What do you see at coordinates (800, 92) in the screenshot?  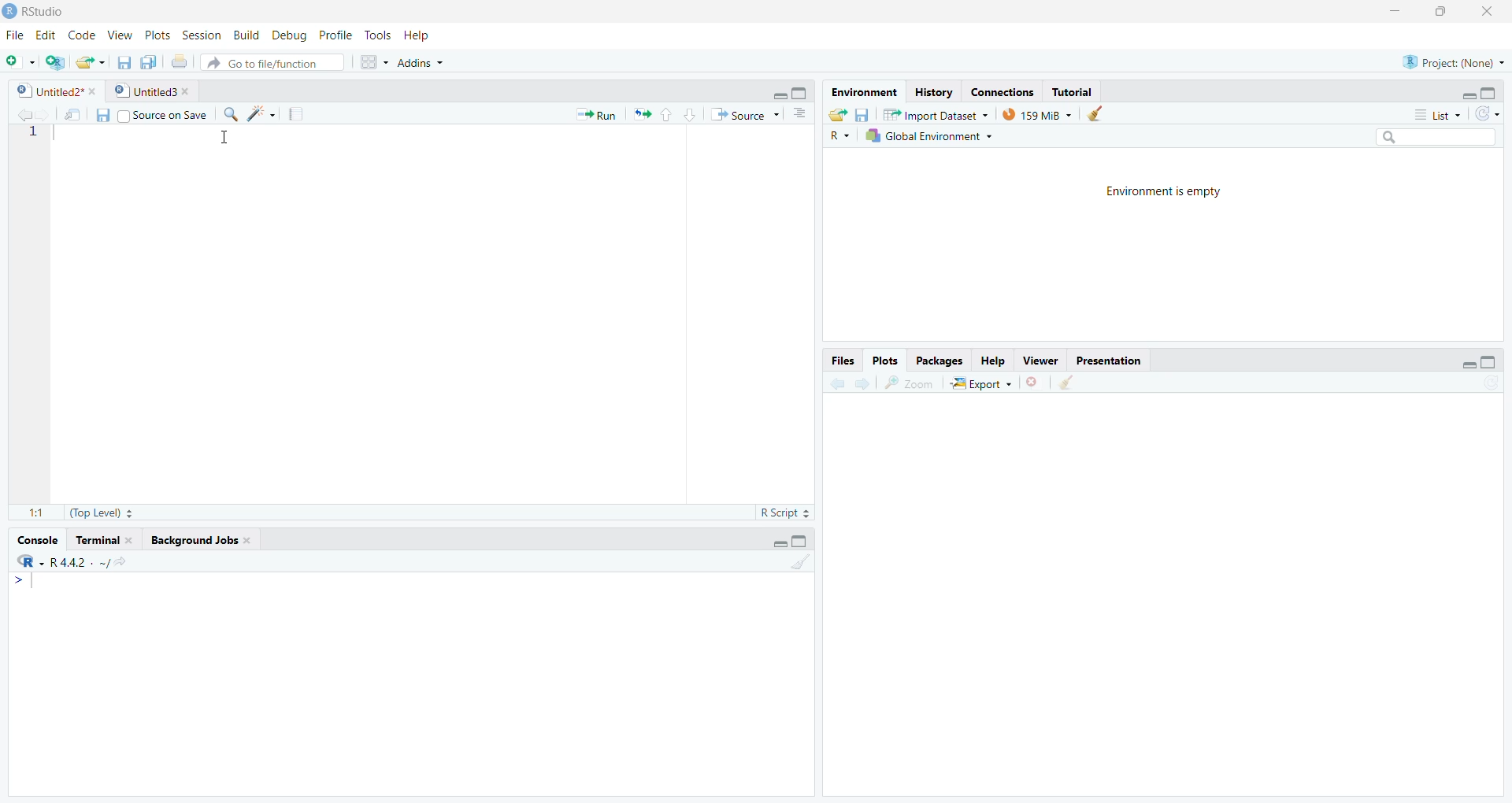 I see `Maximize` at bounding box center [800, 92].